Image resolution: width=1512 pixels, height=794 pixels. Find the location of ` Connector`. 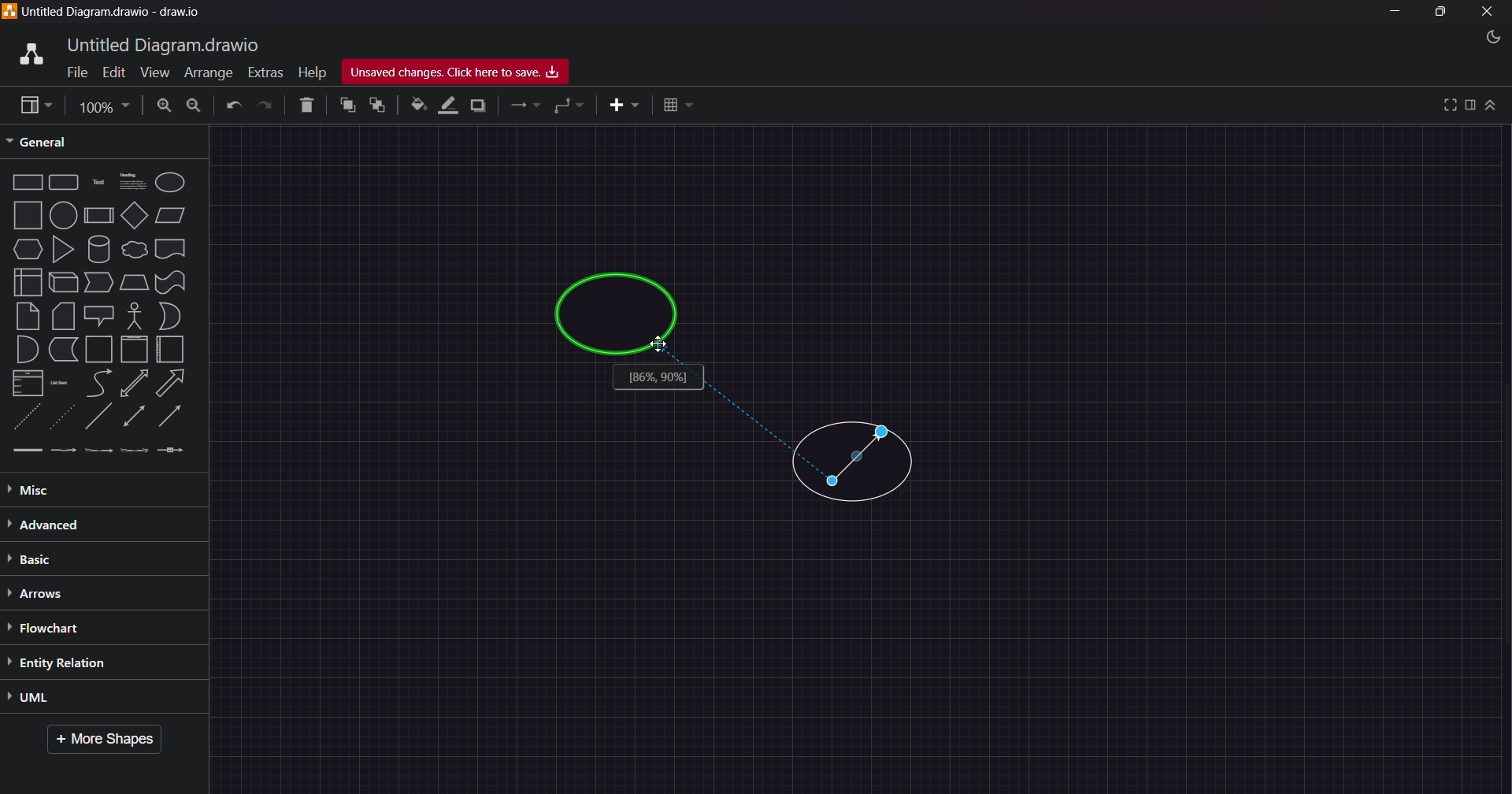

 Connector is located at coordinates (859, 458).